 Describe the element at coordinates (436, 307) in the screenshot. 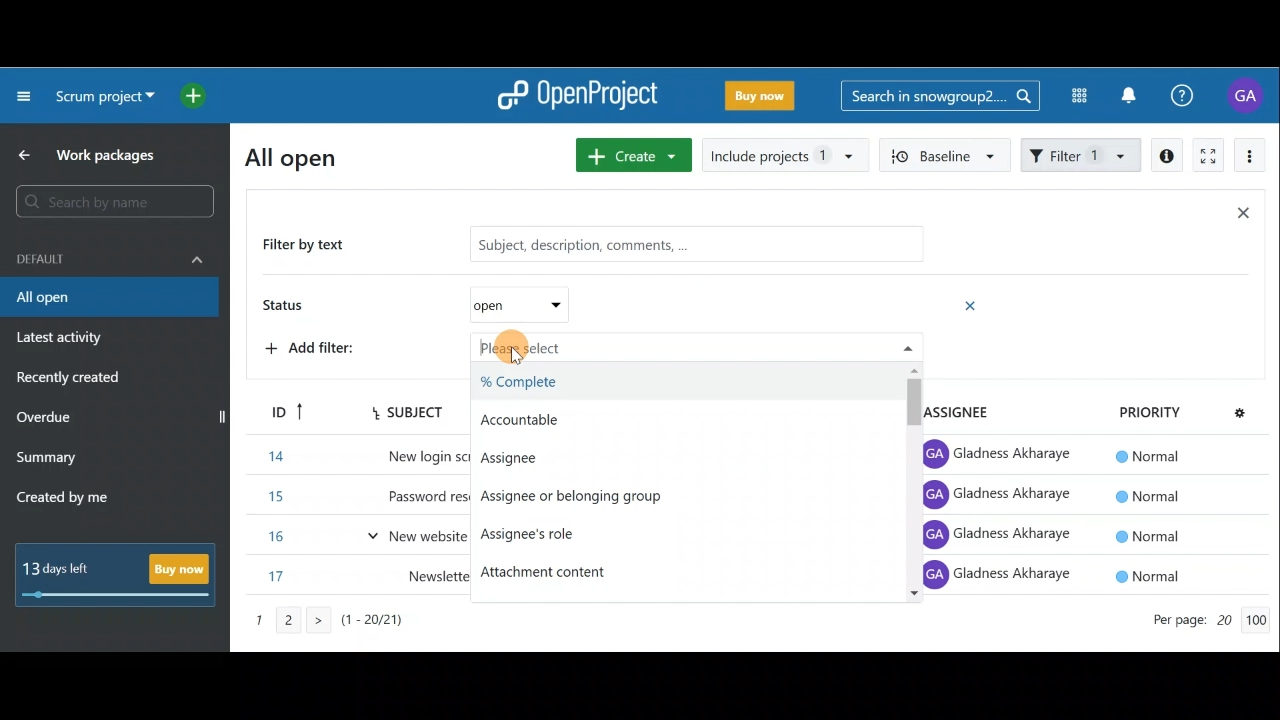

I see `Status` at that location.